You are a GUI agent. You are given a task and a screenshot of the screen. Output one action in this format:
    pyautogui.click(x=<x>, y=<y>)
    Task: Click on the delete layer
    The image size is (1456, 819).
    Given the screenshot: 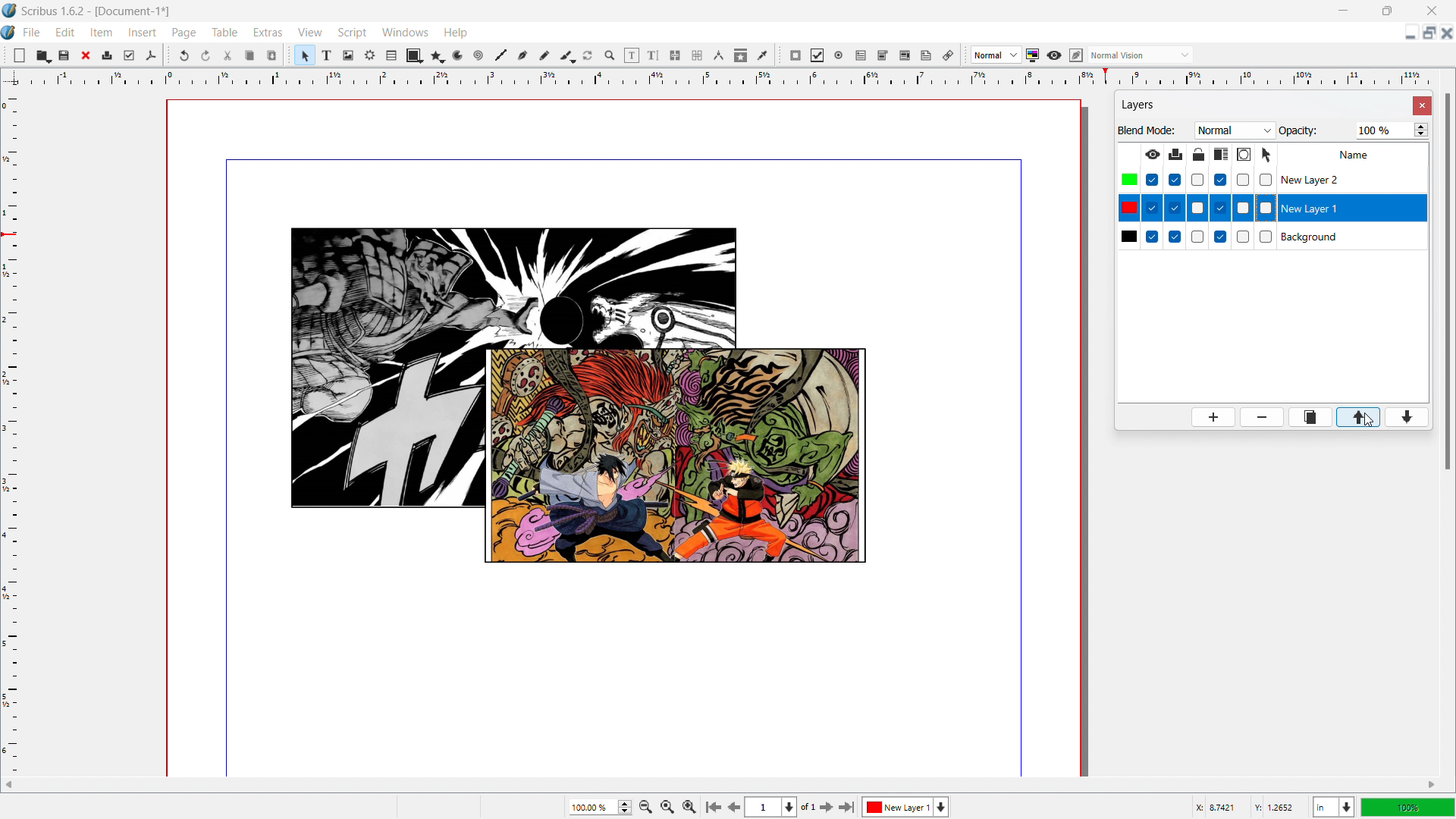 What is the action you would take?
    pyautogui.click(x=1262, y=418)
    